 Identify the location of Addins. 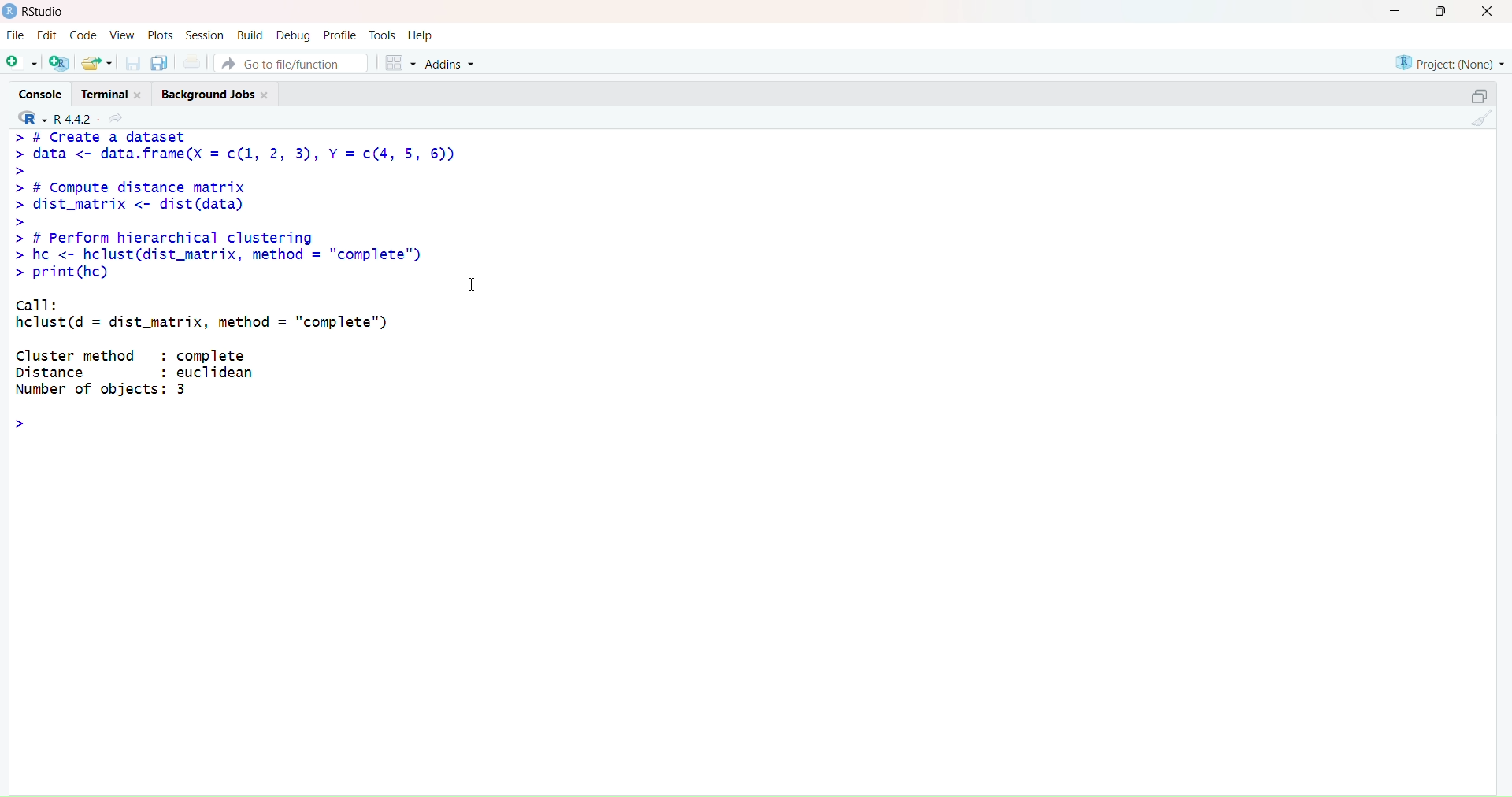
(461, 61).